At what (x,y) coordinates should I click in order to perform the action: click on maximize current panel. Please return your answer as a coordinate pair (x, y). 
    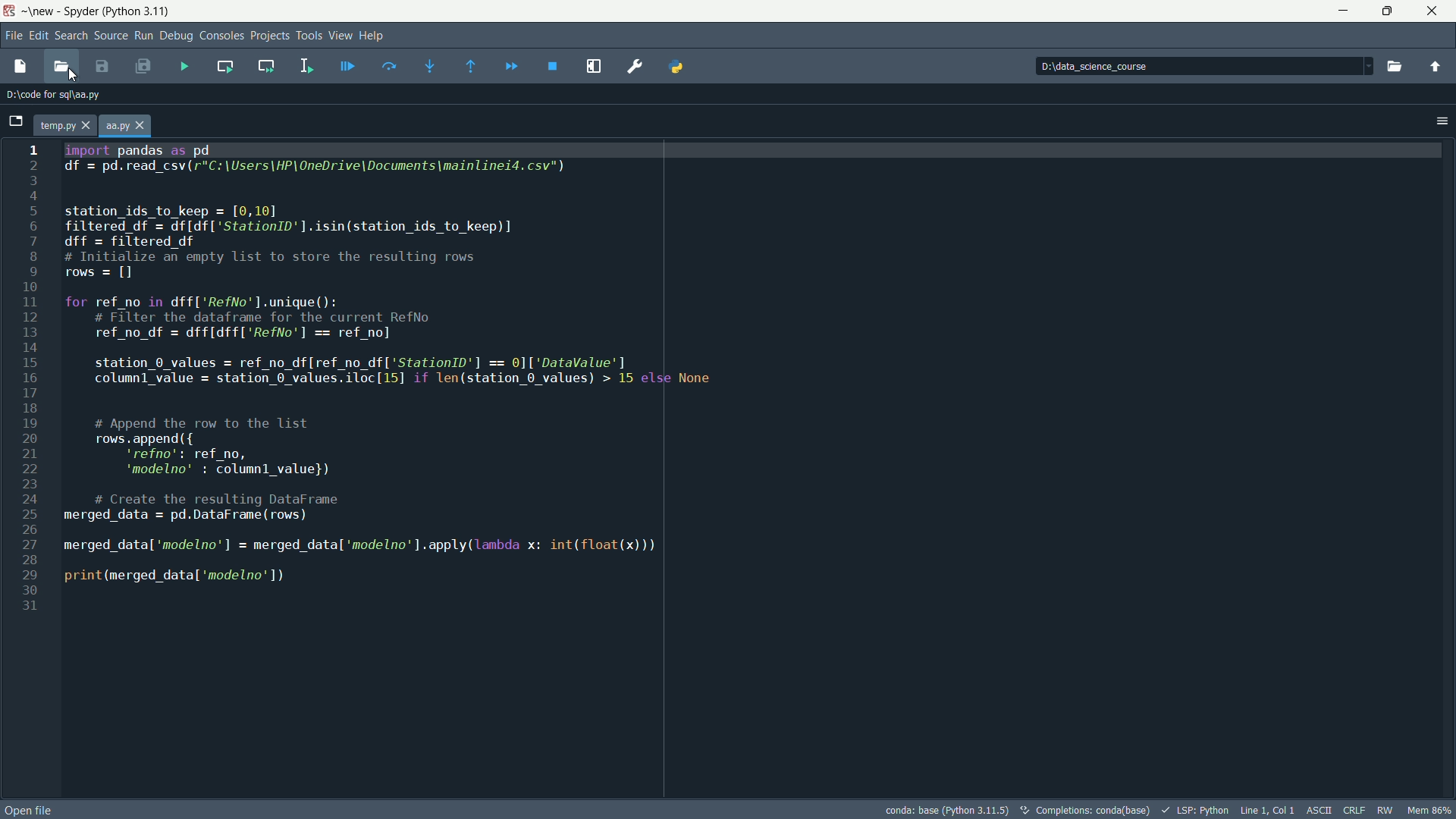
    Looking at the image, I should click on (596, 64).